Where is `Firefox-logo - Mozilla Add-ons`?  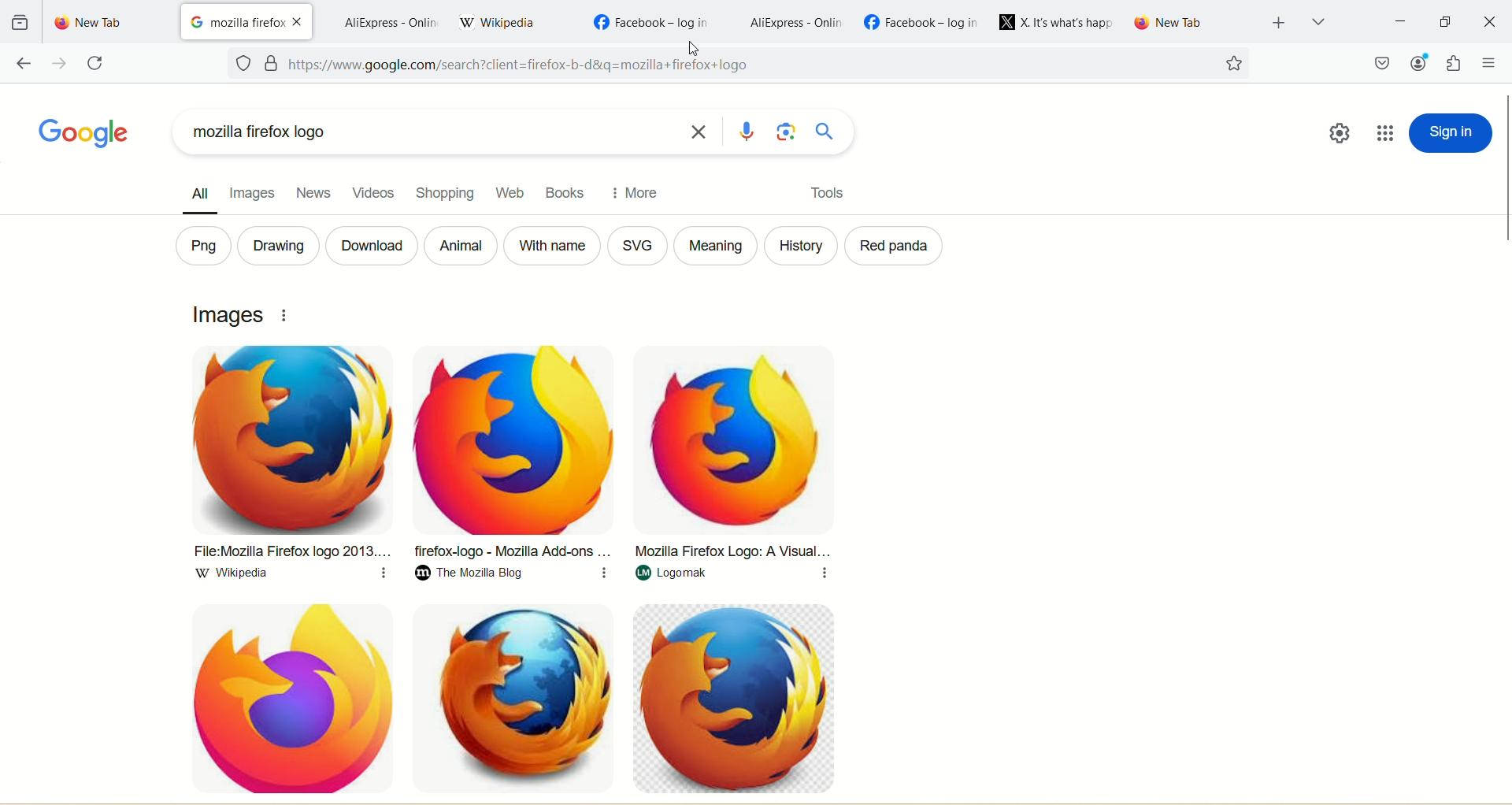 Firefox-logo - Mozilla Add-ons is located at coordinates (512, 552).